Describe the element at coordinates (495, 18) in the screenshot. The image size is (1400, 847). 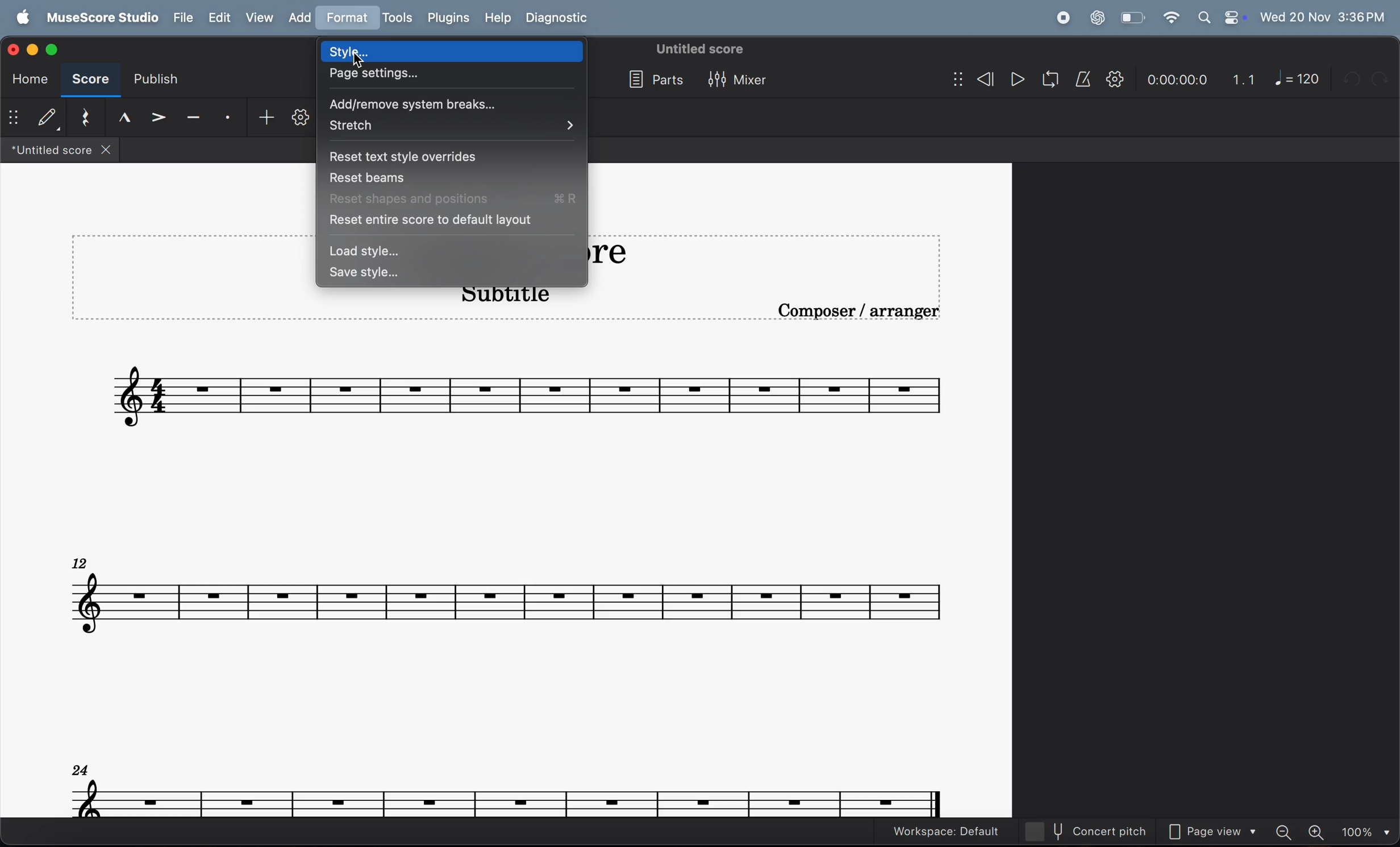
I see `help` at that location.